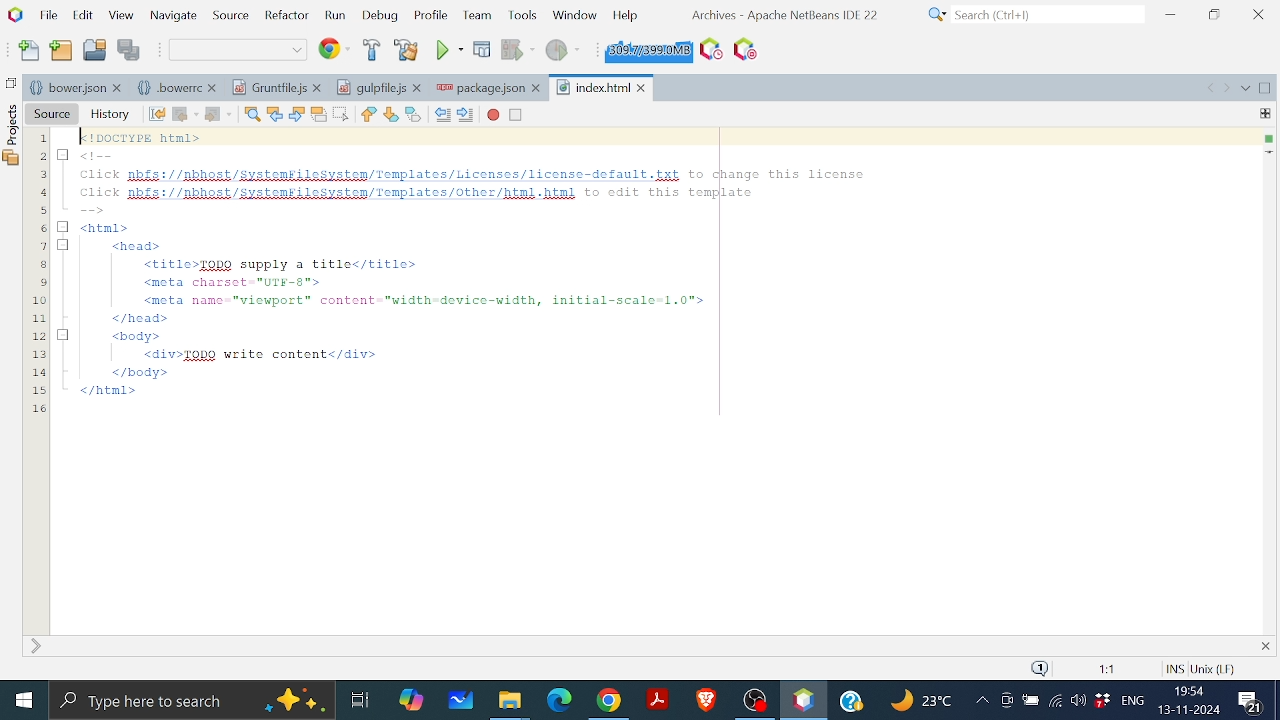 The width and height of the screenshot is (1280, 720). I want to click on code information, so click(1198, 667).